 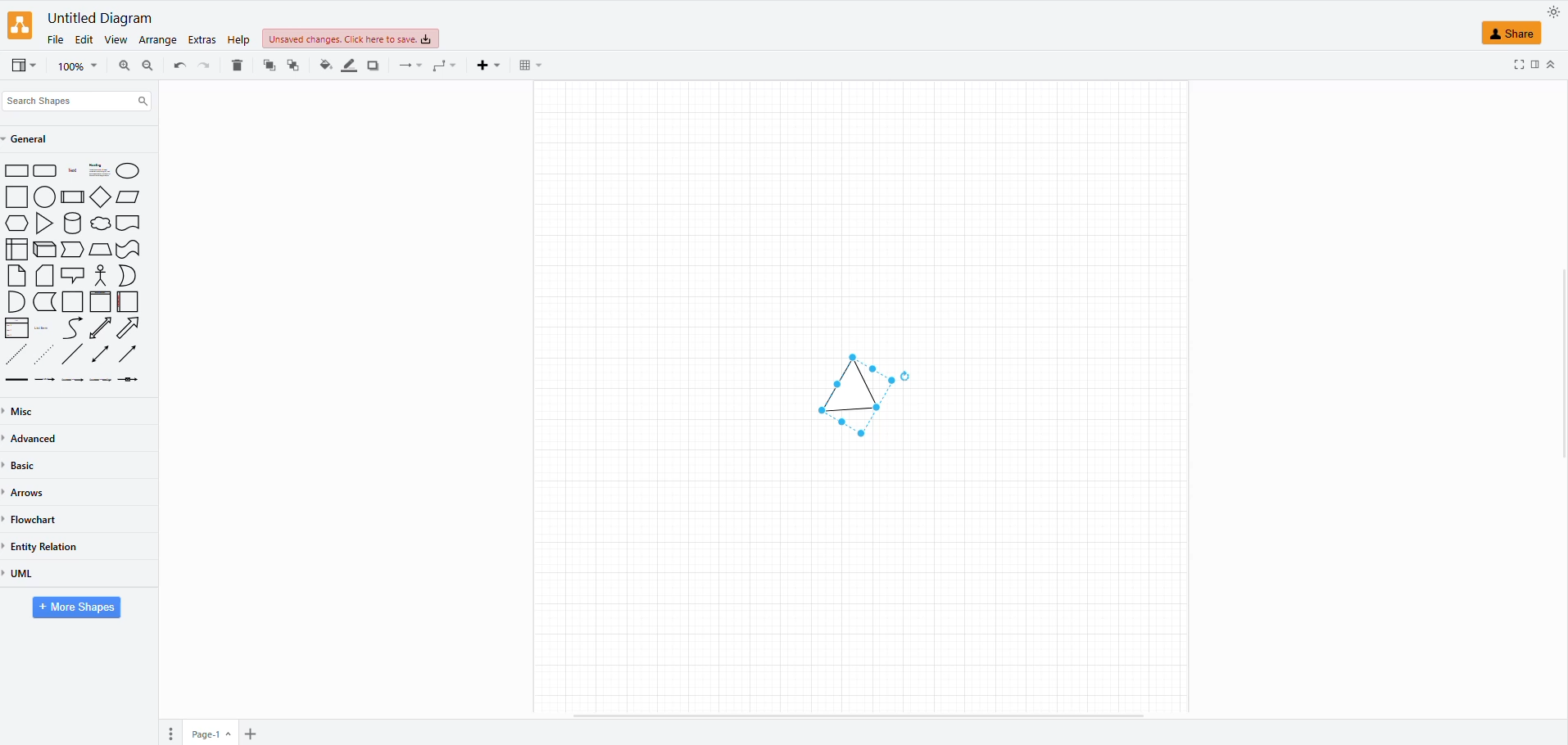 What do you see at coordinates (16, 380) in the screenshot?
I see `Thick Line` at bounding box center [16, 380].